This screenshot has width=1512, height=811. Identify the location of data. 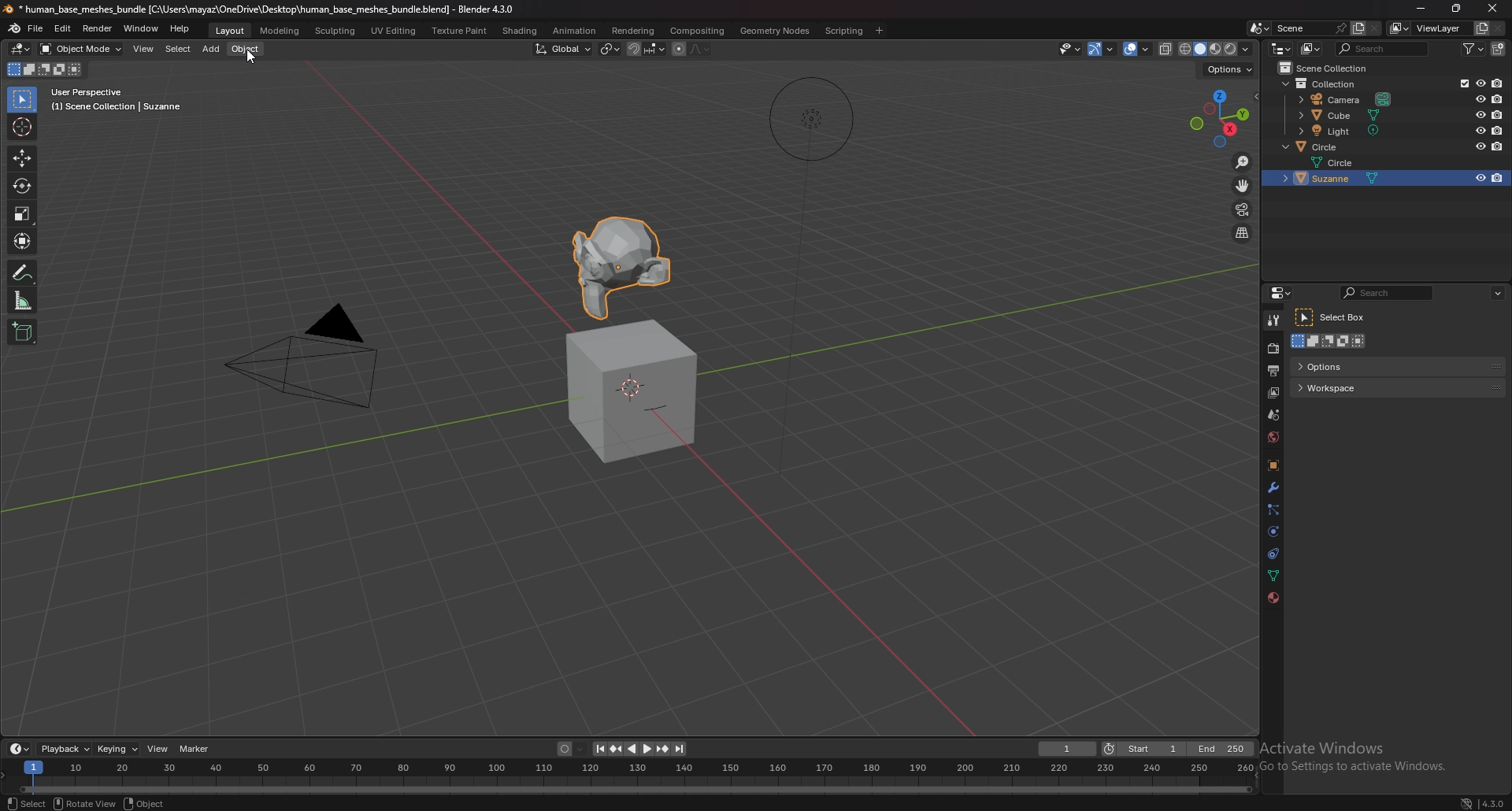
(1274, 576).